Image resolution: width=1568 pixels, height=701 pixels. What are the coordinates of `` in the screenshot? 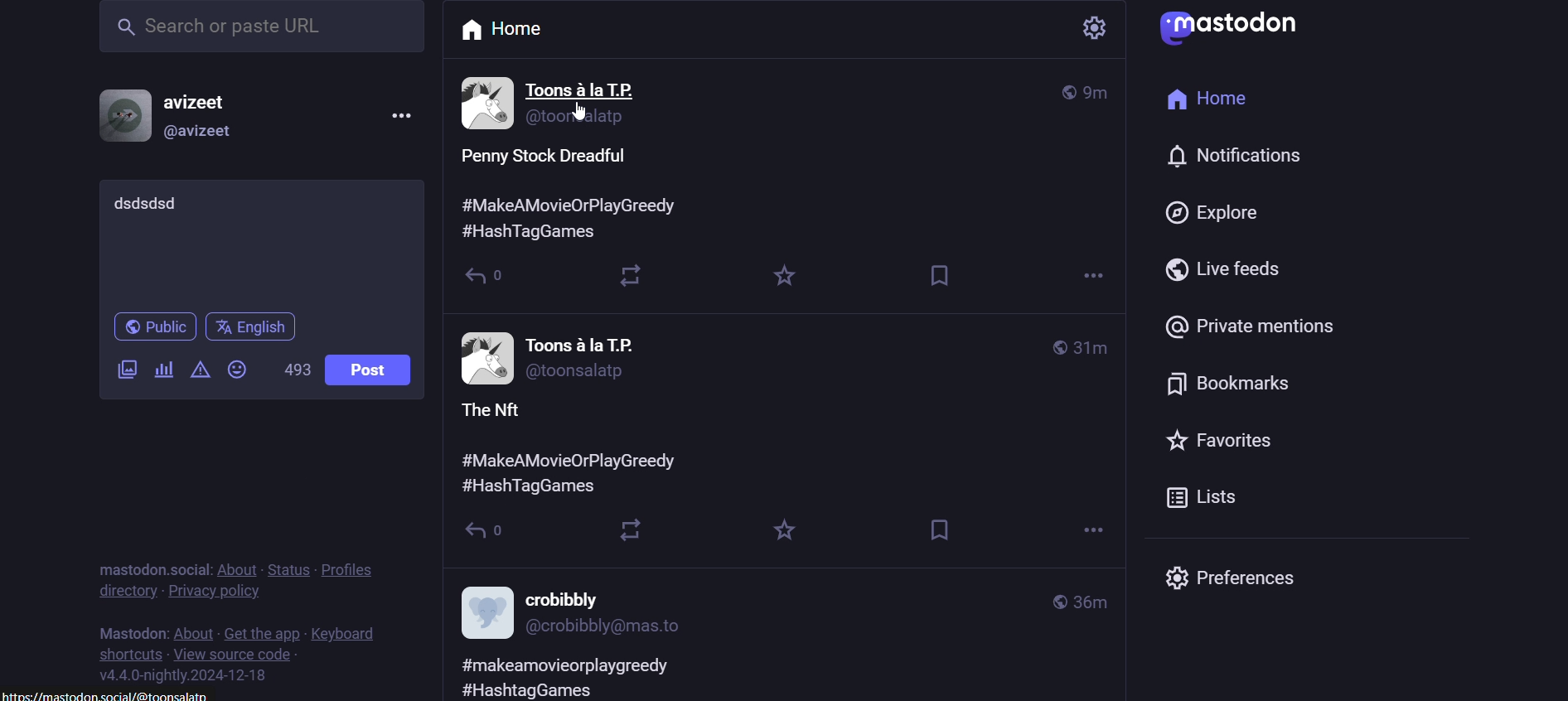 It's located at (492, 409).